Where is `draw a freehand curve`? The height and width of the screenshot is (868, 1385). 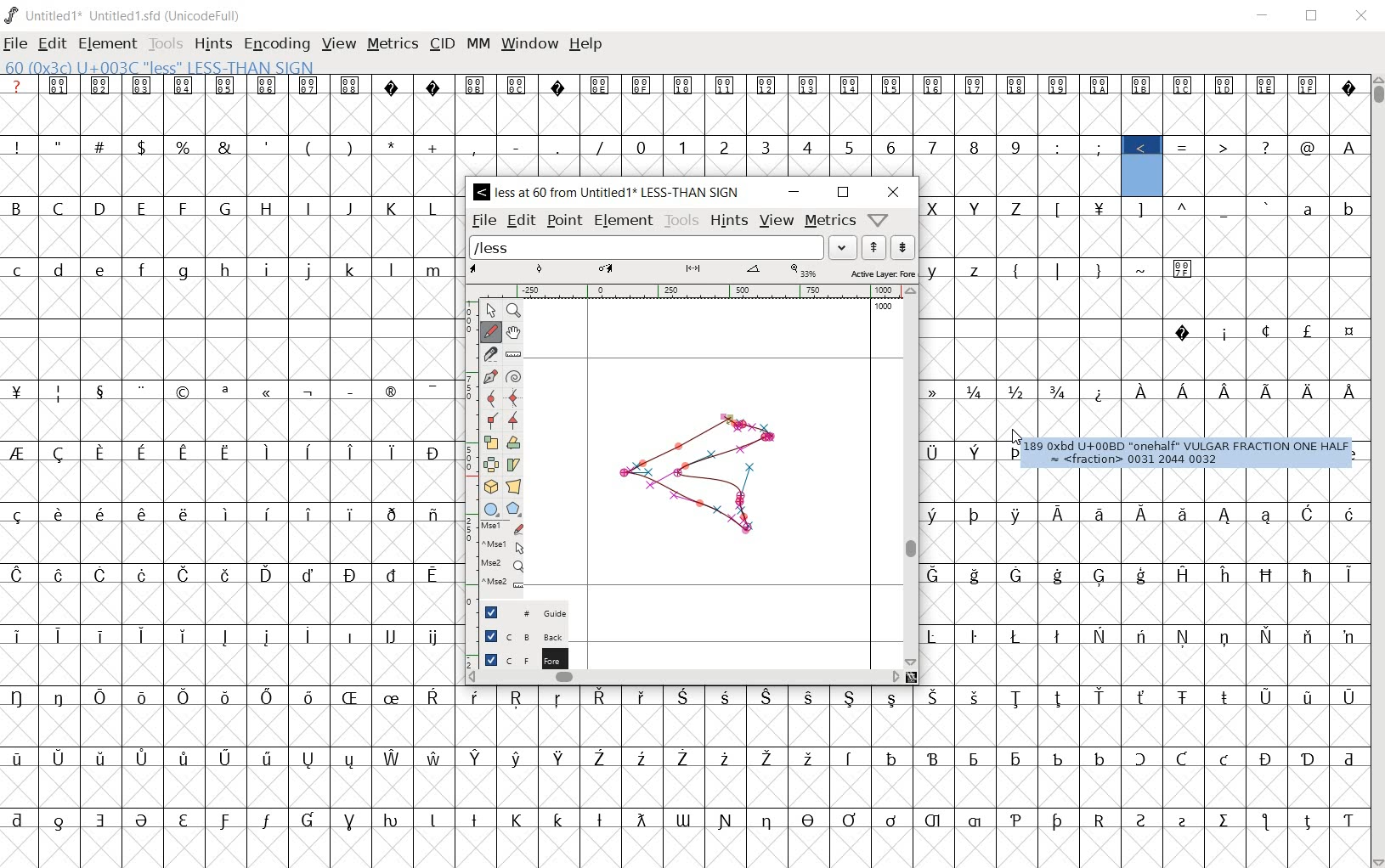 draw a freehand curve is located at coordinates (491, 331).